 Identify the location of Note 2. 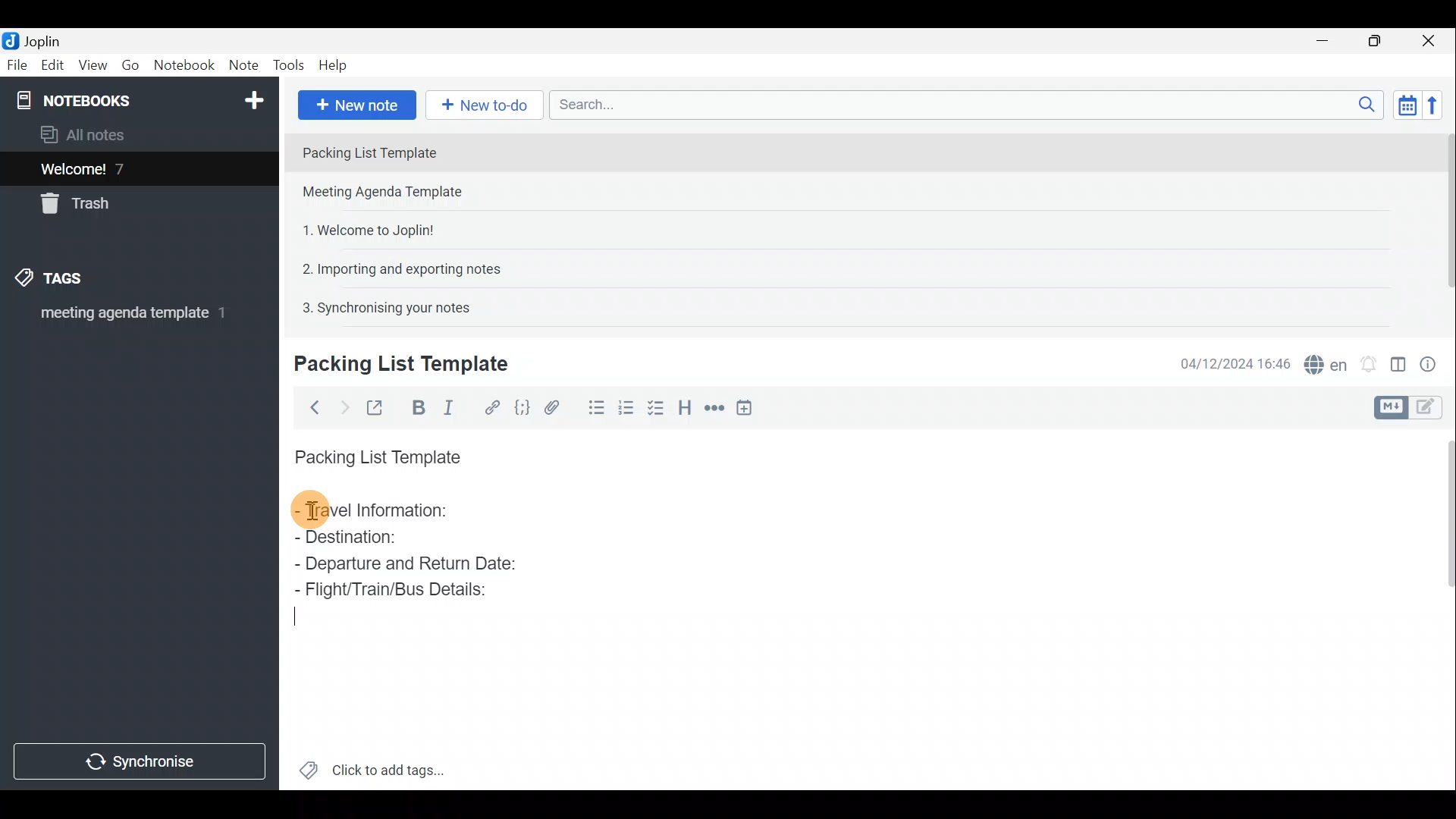
(397, 193).